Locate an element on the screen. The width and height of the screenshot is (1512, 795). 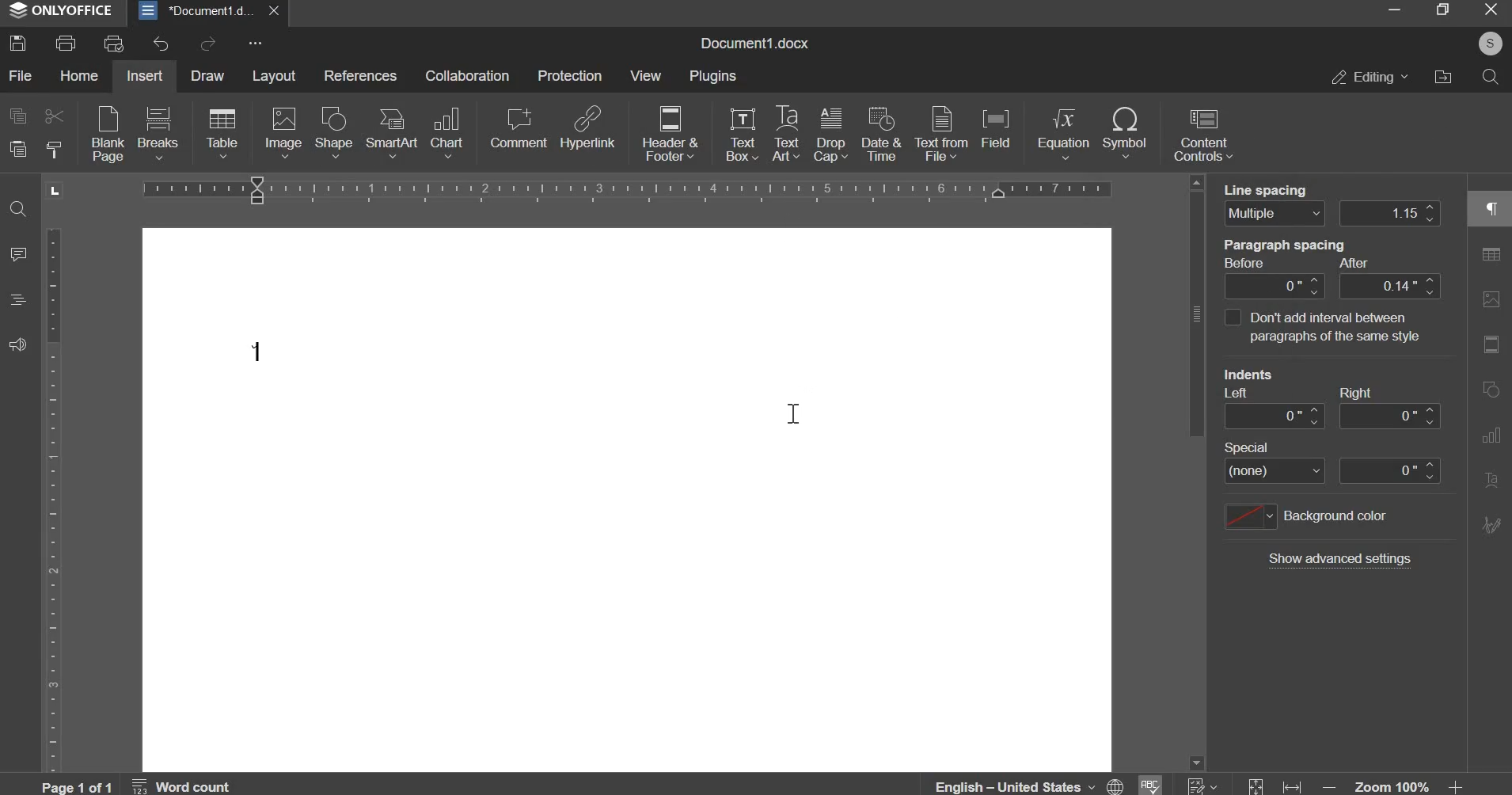
Symbol inserted is located at coordinates (260, 350).